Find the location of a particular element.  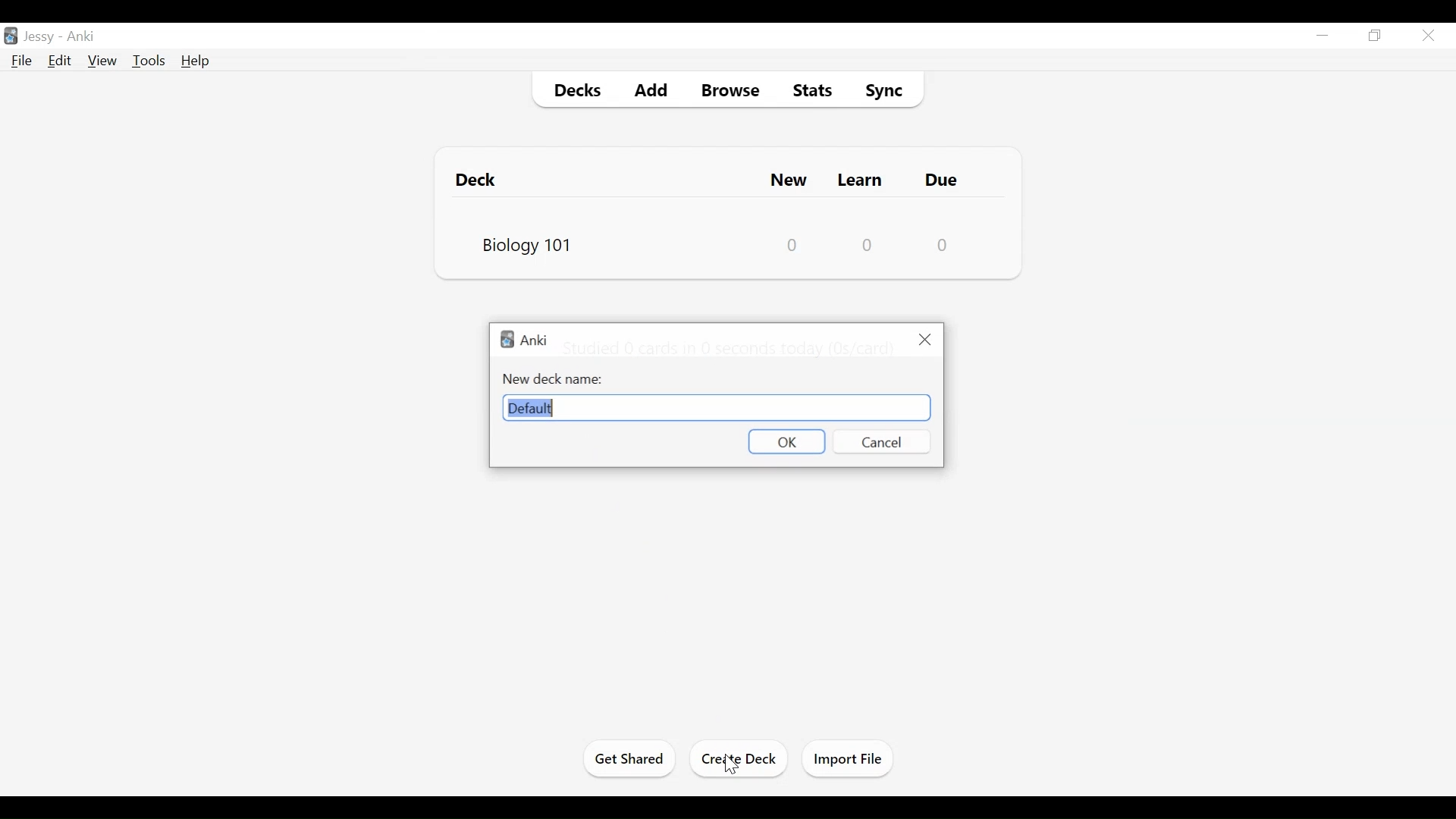

File is located at coordinates (24, 61).